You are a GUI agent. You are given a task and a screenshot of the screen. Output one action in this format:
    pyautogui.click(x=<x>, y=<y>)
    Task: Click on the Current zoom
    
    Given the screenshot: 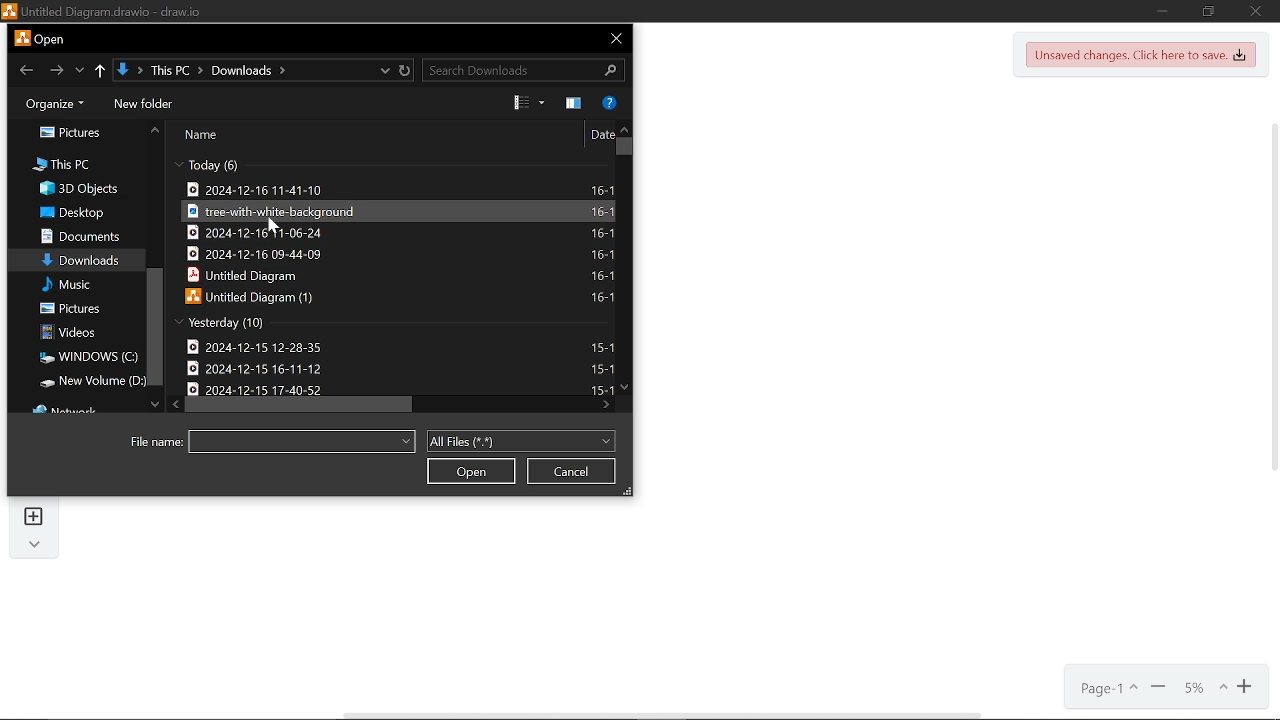 What is the action you would take?
    pyautogui.click(x=1204, y=689)
    